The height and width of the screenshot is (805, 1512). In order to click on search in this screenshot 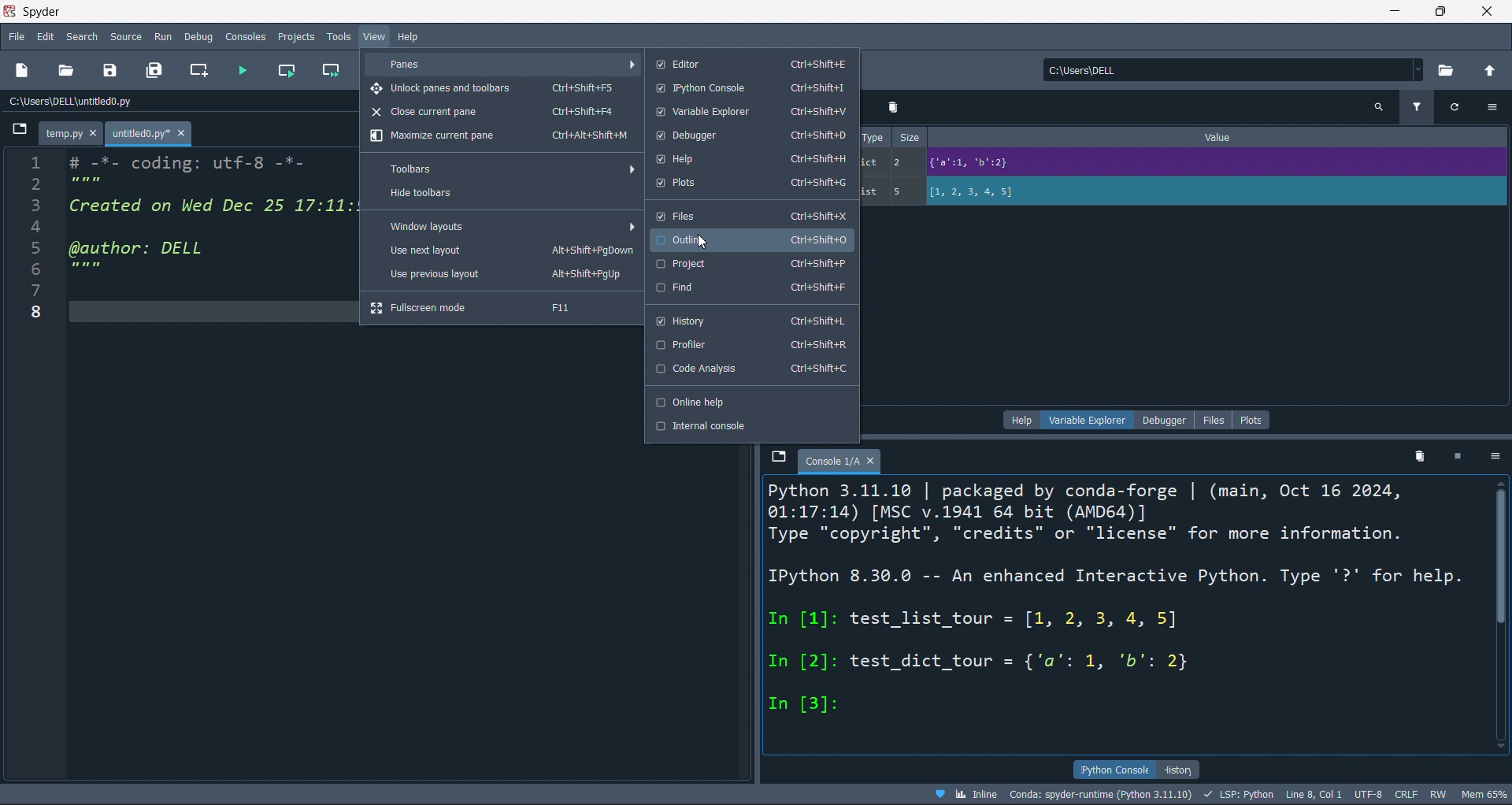, I will do `click(80, 35)`.